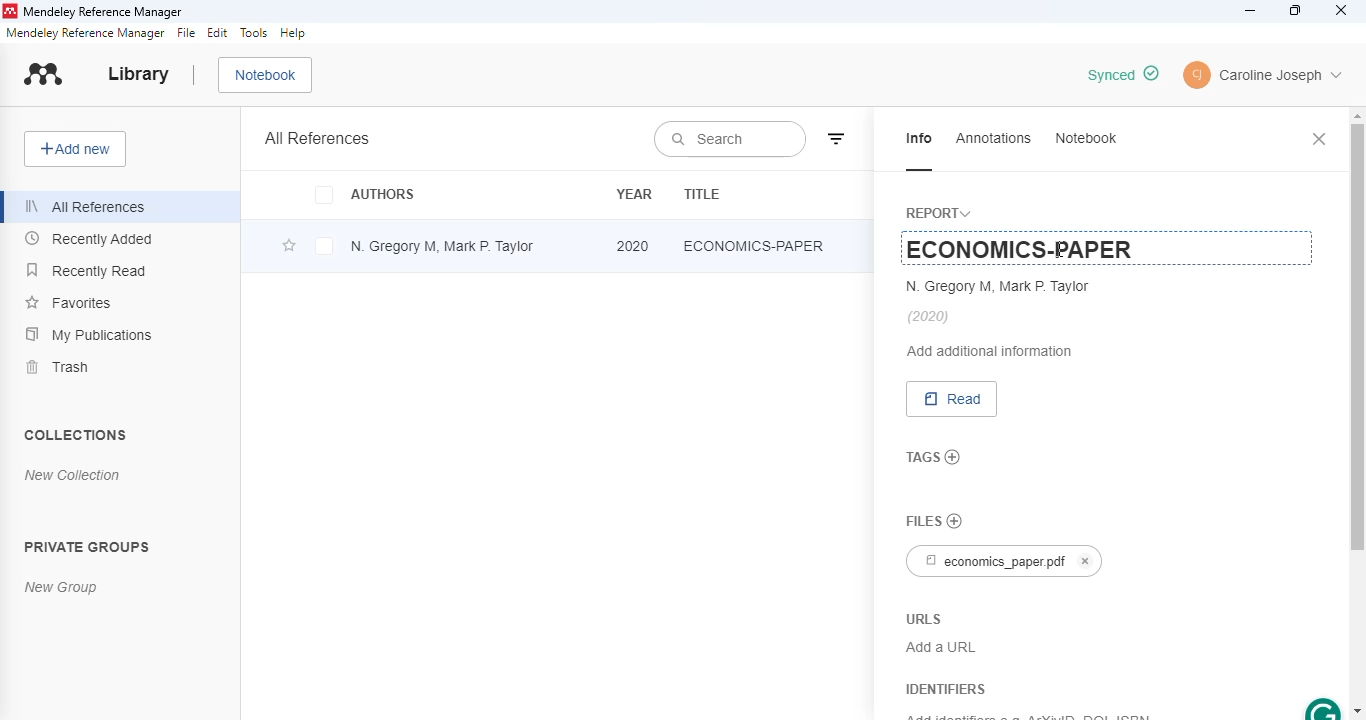 This screenshot has height=720, width=1366. Describe the element at coordinates (289, 247) in the screenshot. I see `add this reference to favorites` at that location.